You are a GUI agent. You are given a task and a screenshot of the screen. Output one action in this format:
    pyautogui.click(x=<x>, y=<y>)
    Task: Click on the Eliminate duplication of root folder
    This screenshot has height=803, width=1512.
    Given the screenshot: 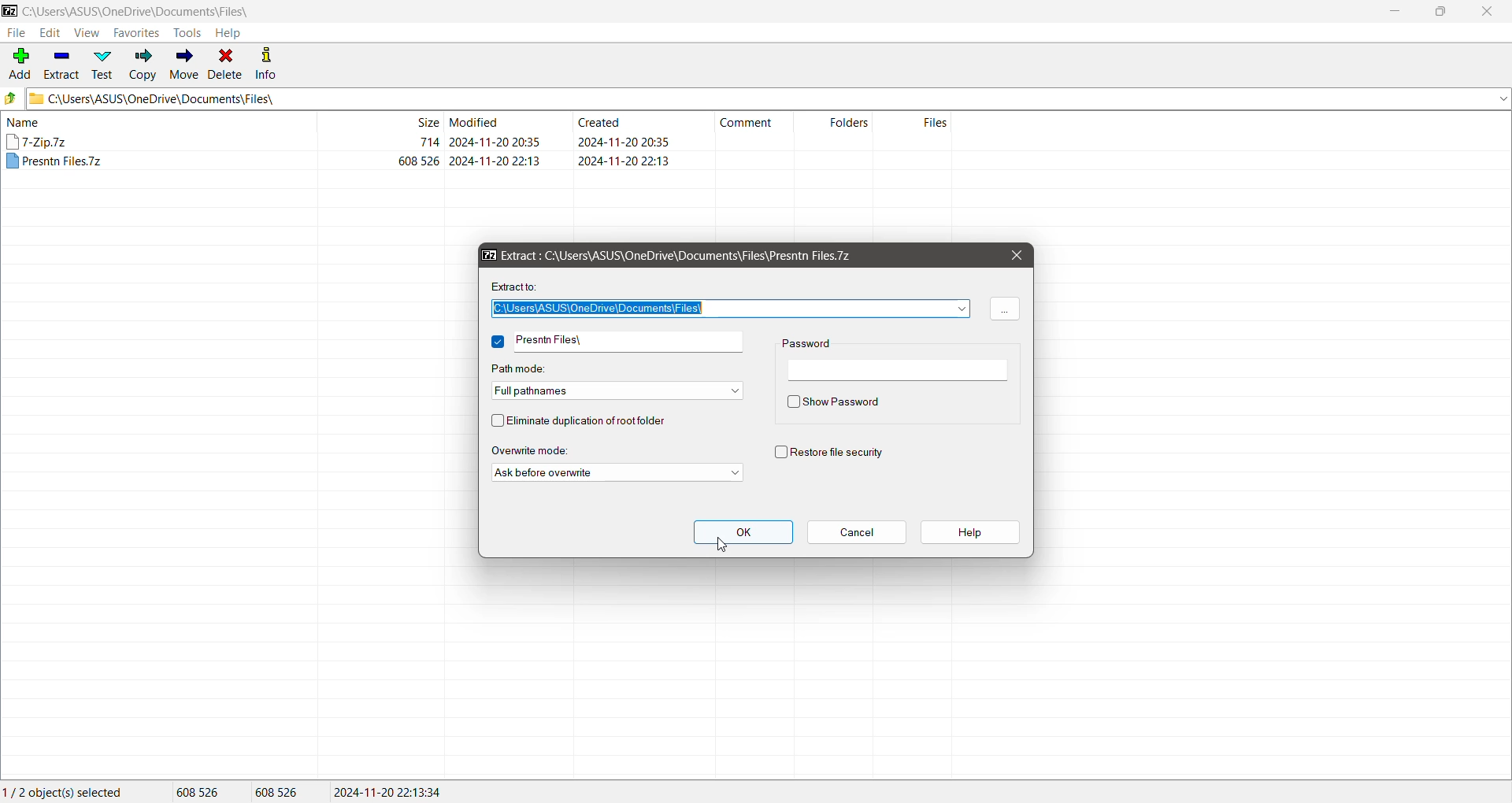 What is the action you would take?
    pyautogui.click(x=588, y=421)
    